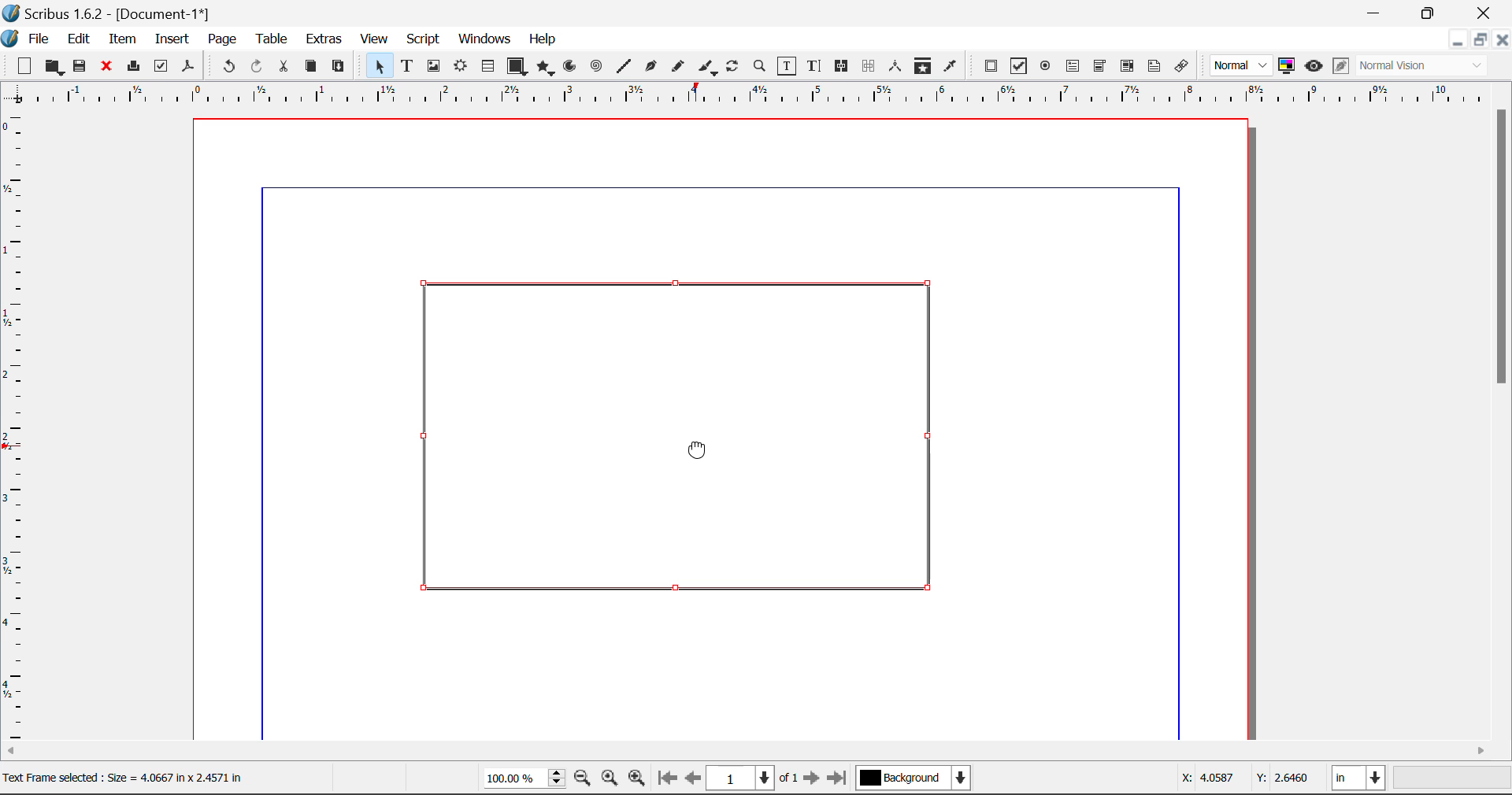 The width and height of the screenshot is (1512, 795). What do you see at coordinates (649, 66) in the screenshot?
I see `Bezier Curve` at bounding box center [649, 66].